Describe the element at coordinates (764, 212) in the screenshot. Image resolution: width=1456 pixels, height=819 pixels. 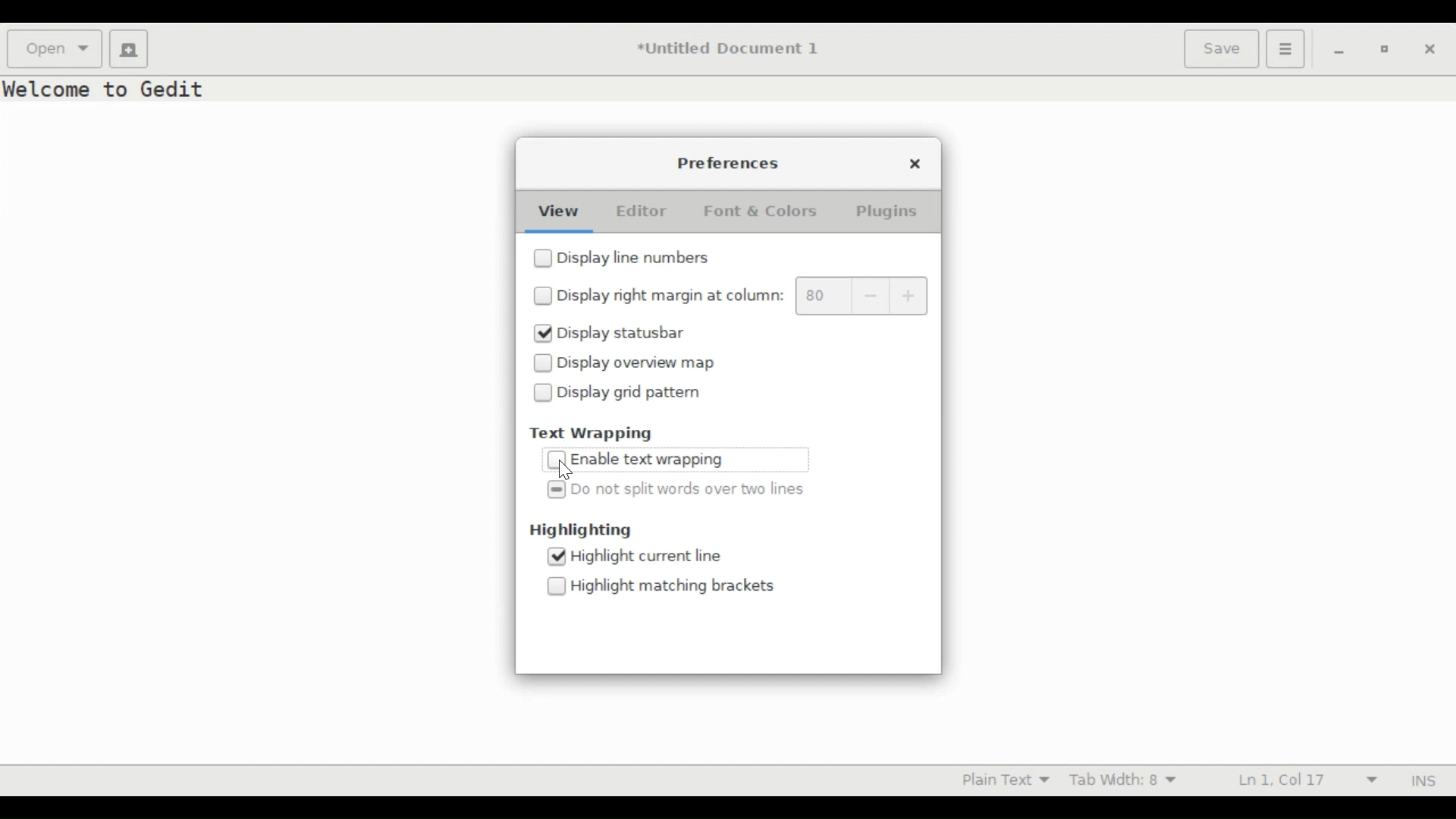
I see `Font & Colors` at that location.